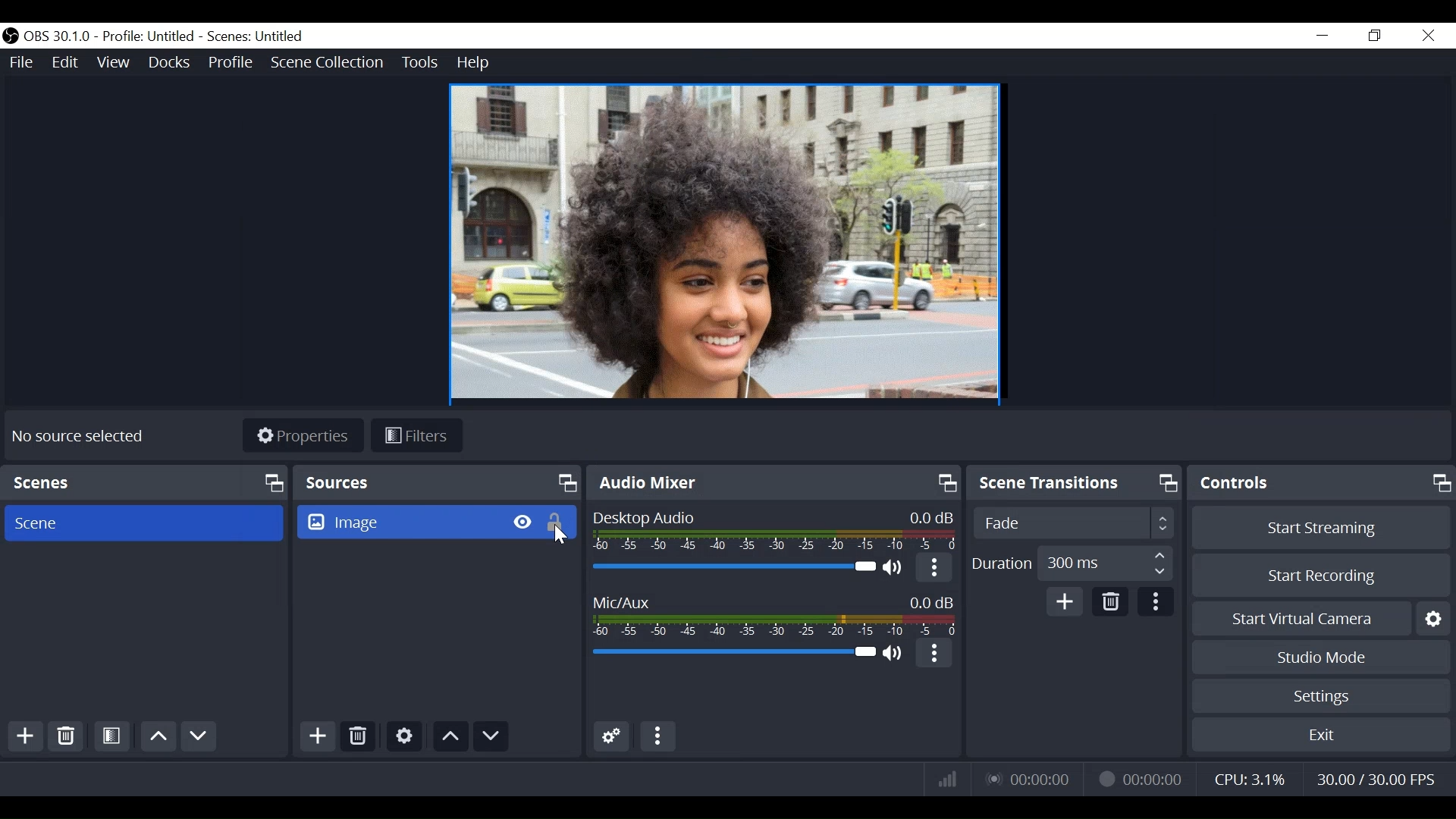 The width and height of the screenshot is (1456, 819). Describe the element at coordinates (896, 570) in the screenshot. I see `(un)mute` at that location.